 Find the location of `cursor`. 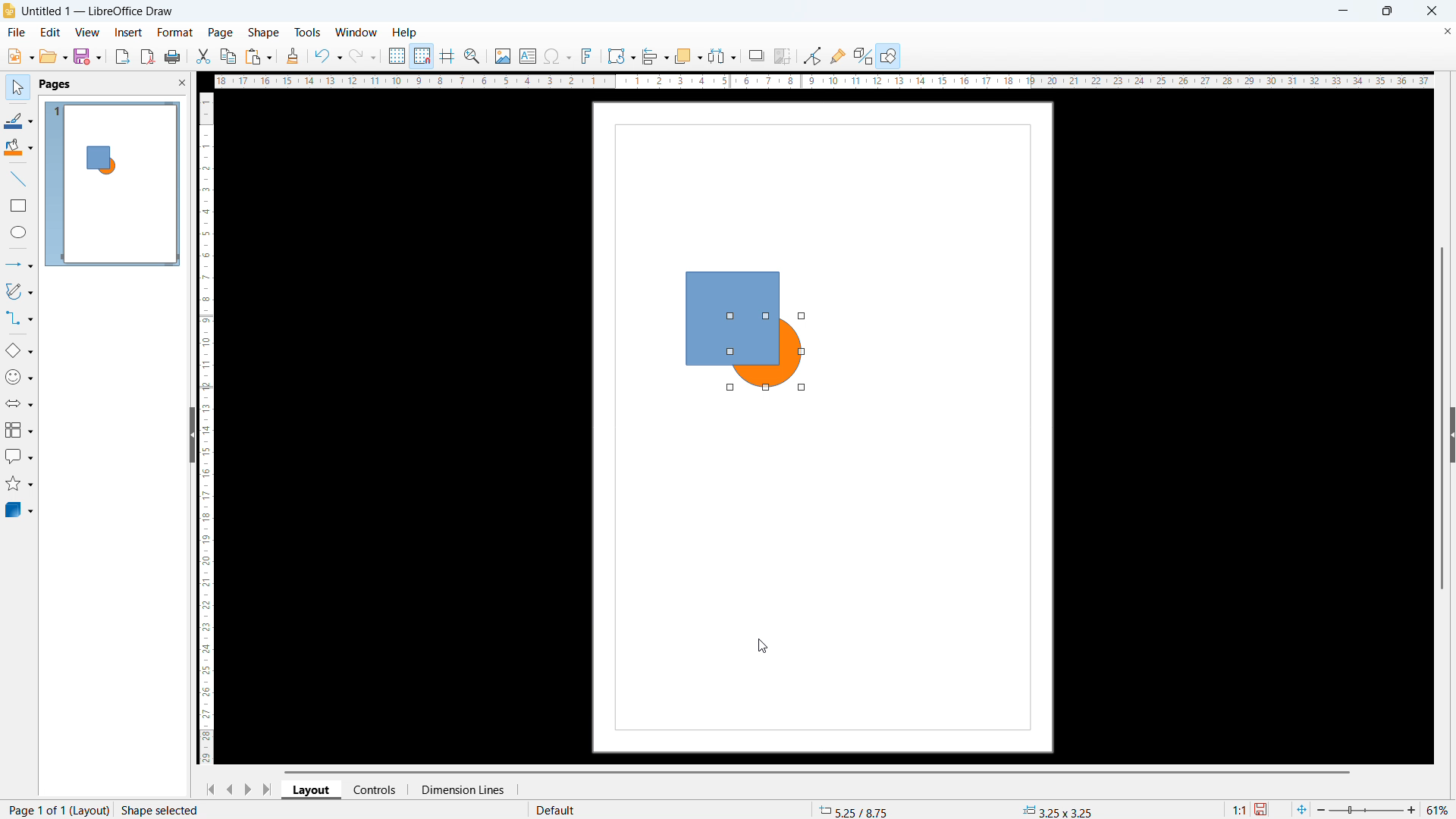

cursor is located at coordinates (762, 646).